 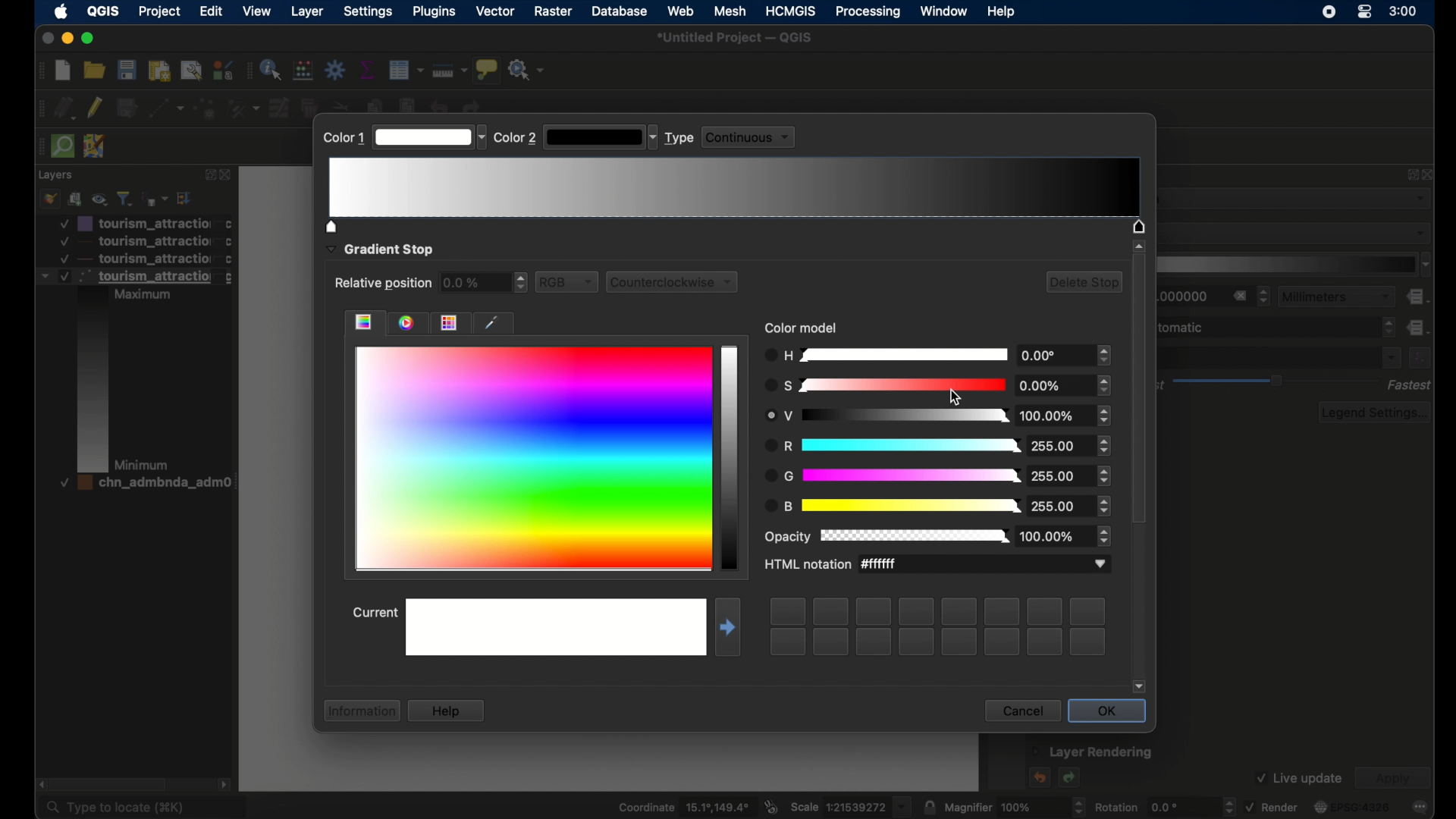 What do you see at coordinates (791, 11) in the screenshot?
I see `HCMGIS` at bounding box center [791, 11].